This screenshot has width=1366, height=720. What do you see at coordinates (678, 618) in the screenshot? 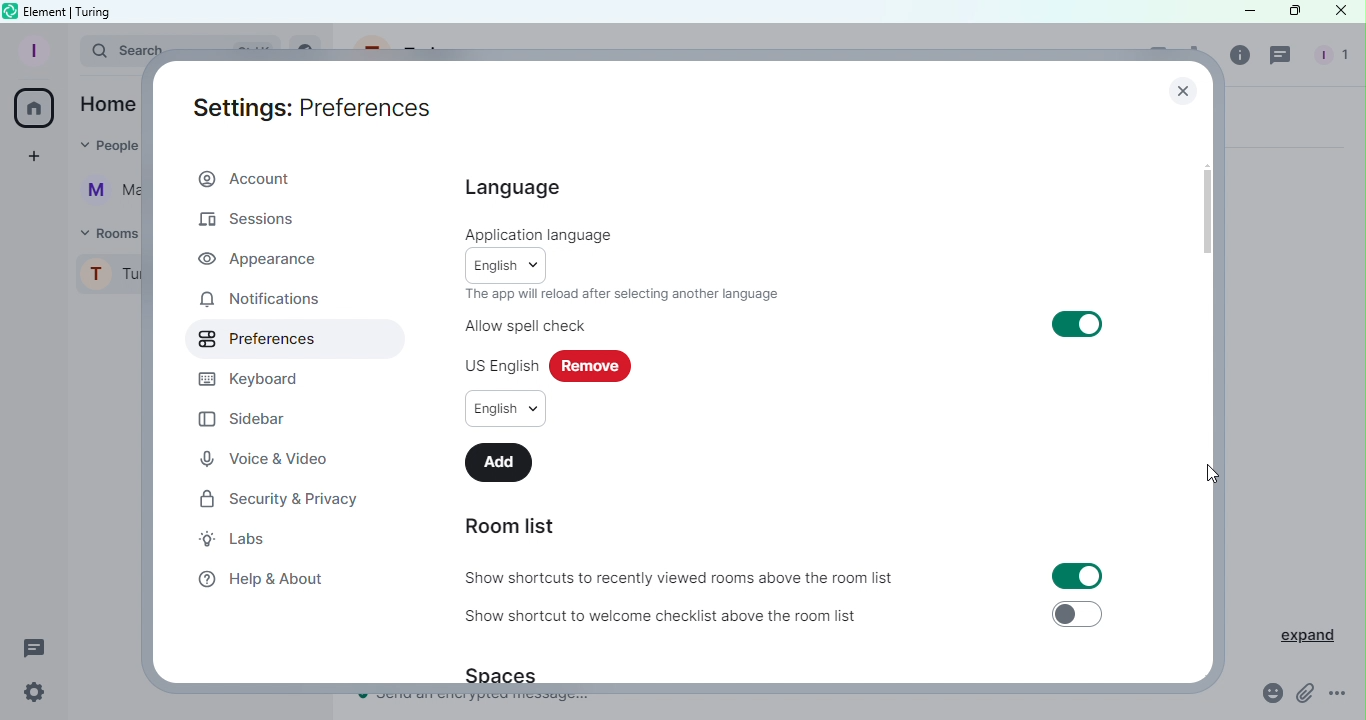
I see `Show shortcut to welcome checklist above the room list` at bounding box center [678, 618].